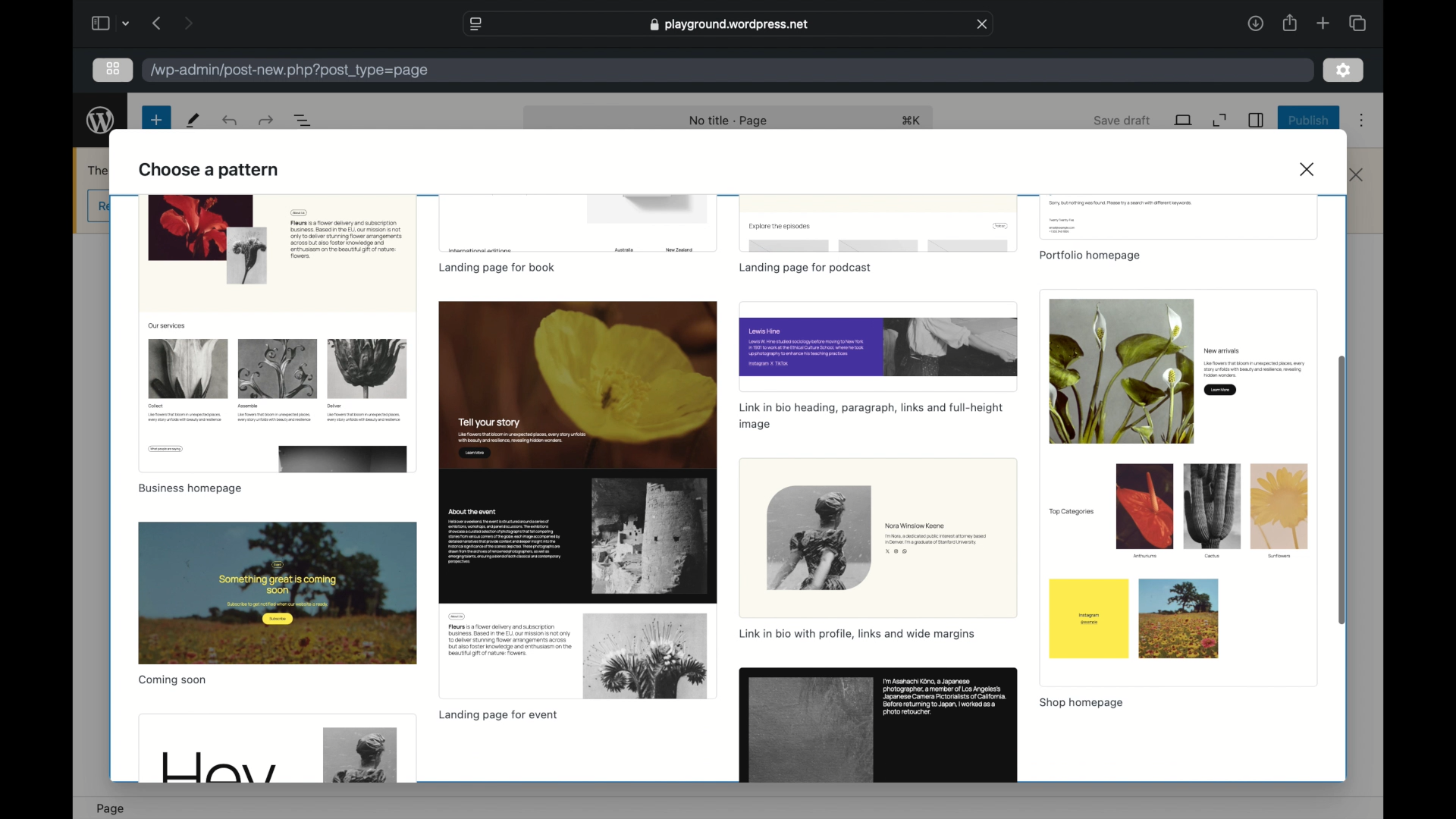 The height and width of the screenshot is (819, 1456). Describe the element at coordinates (156, 120) in the screenshot. I see `new` at that location.